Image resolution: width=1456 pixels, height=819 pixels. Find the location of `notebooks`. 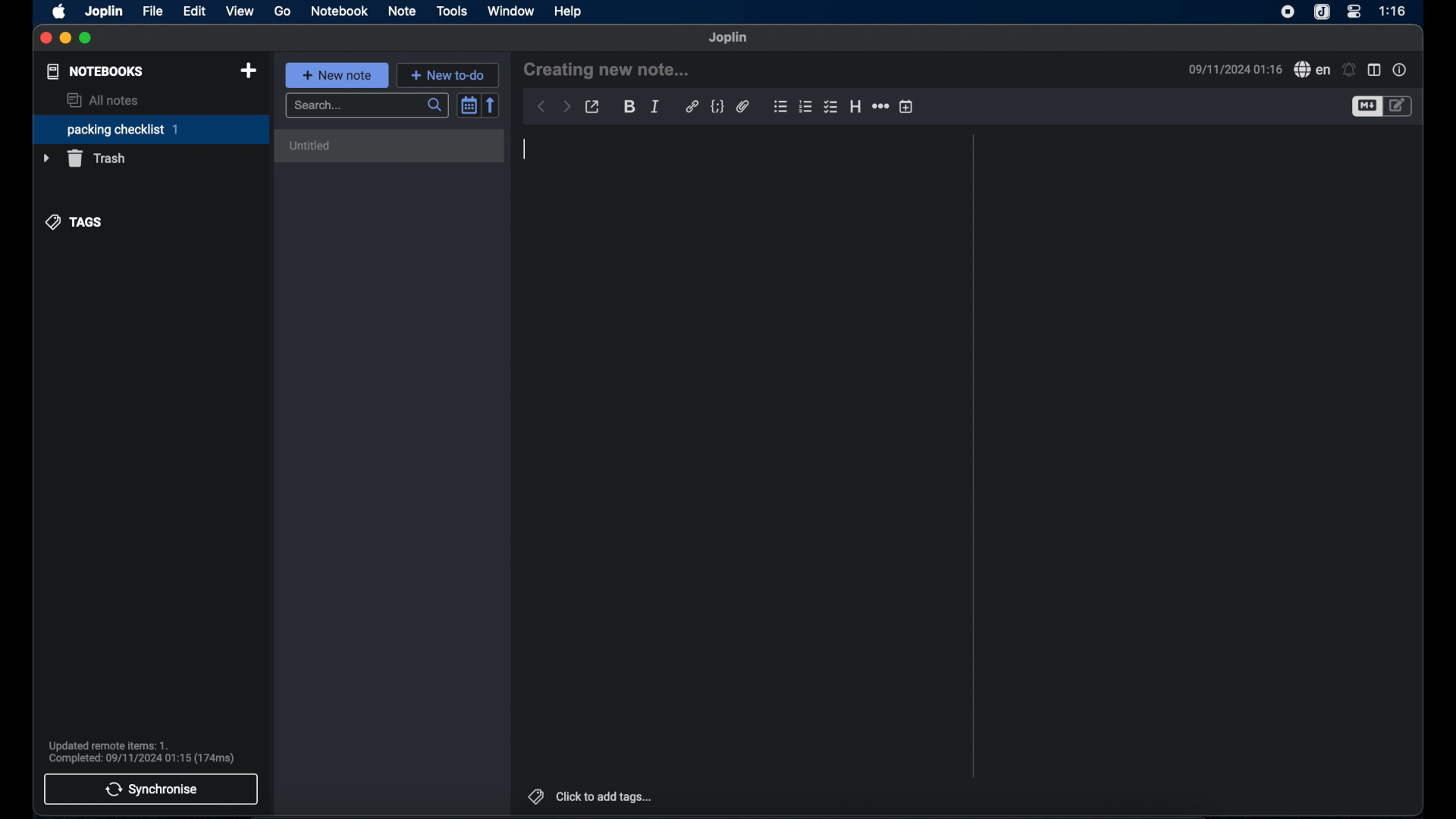

notebooks is located at coordinates (95, 71).